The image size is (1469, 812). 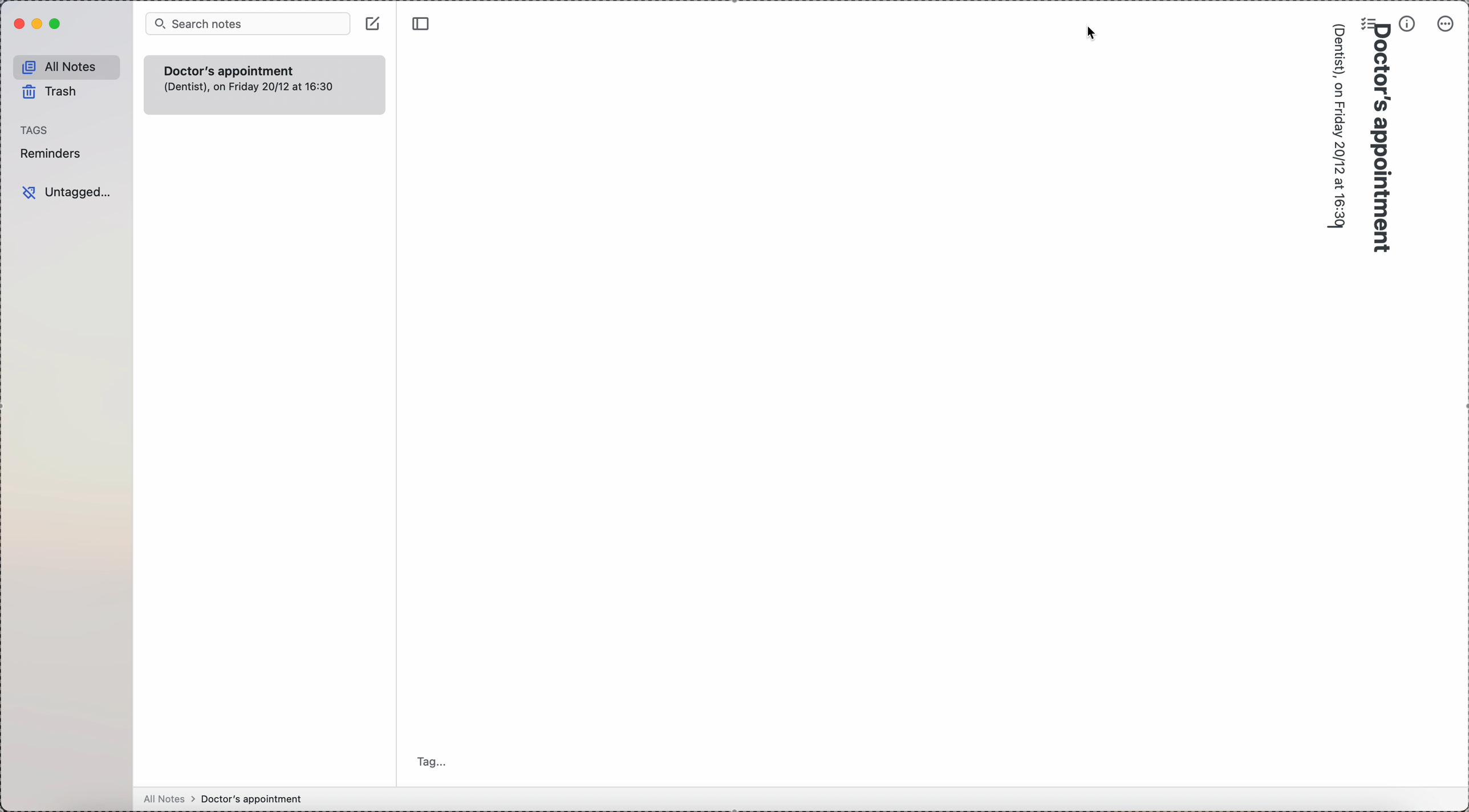 What do you see at coordinates (66, 65) in the screenshot?
I see `all notes` at bounding box center [66, 65].